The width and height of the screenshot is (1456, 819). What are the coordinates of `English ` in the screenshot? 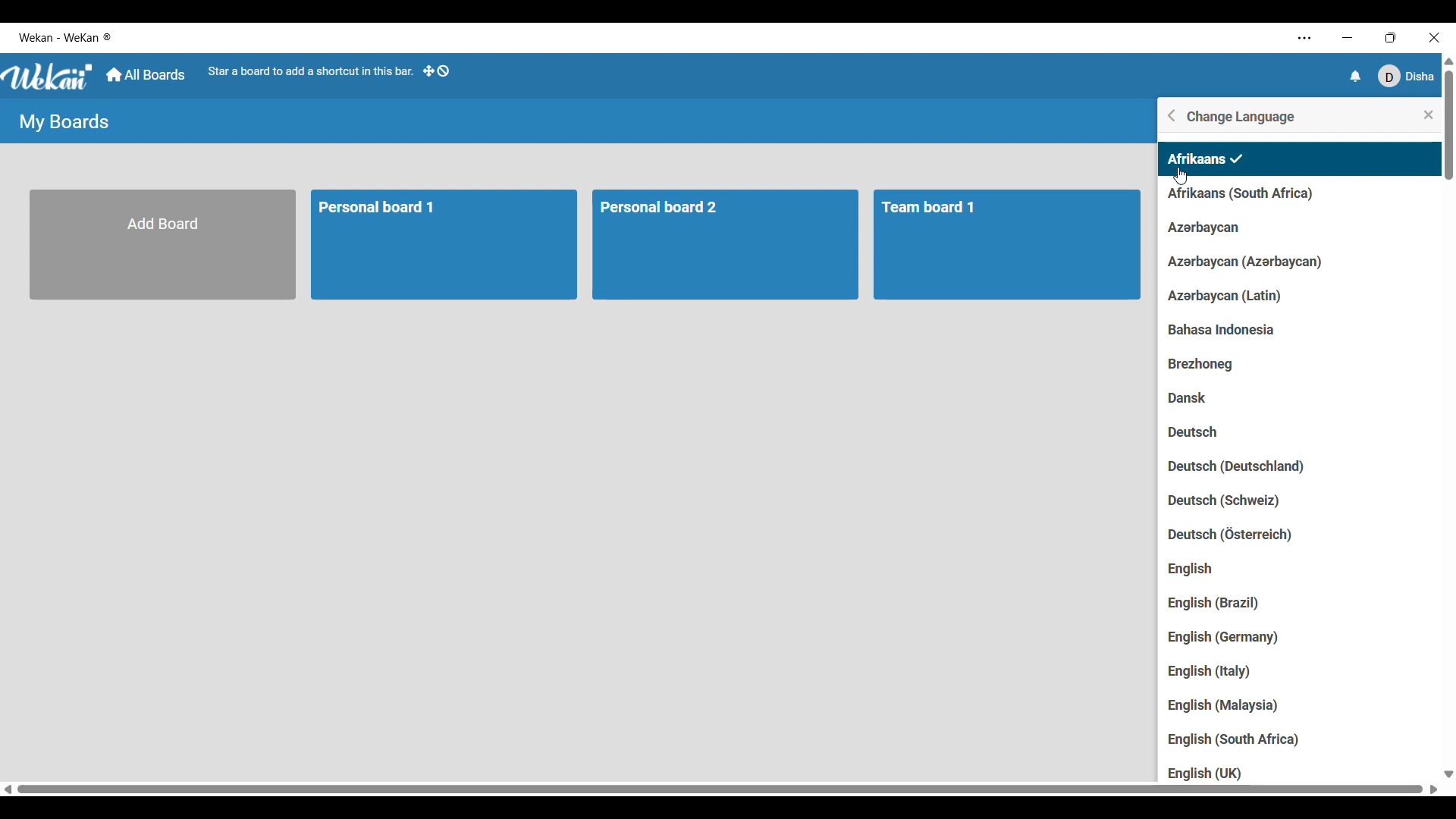 It's located at (1221, 570).